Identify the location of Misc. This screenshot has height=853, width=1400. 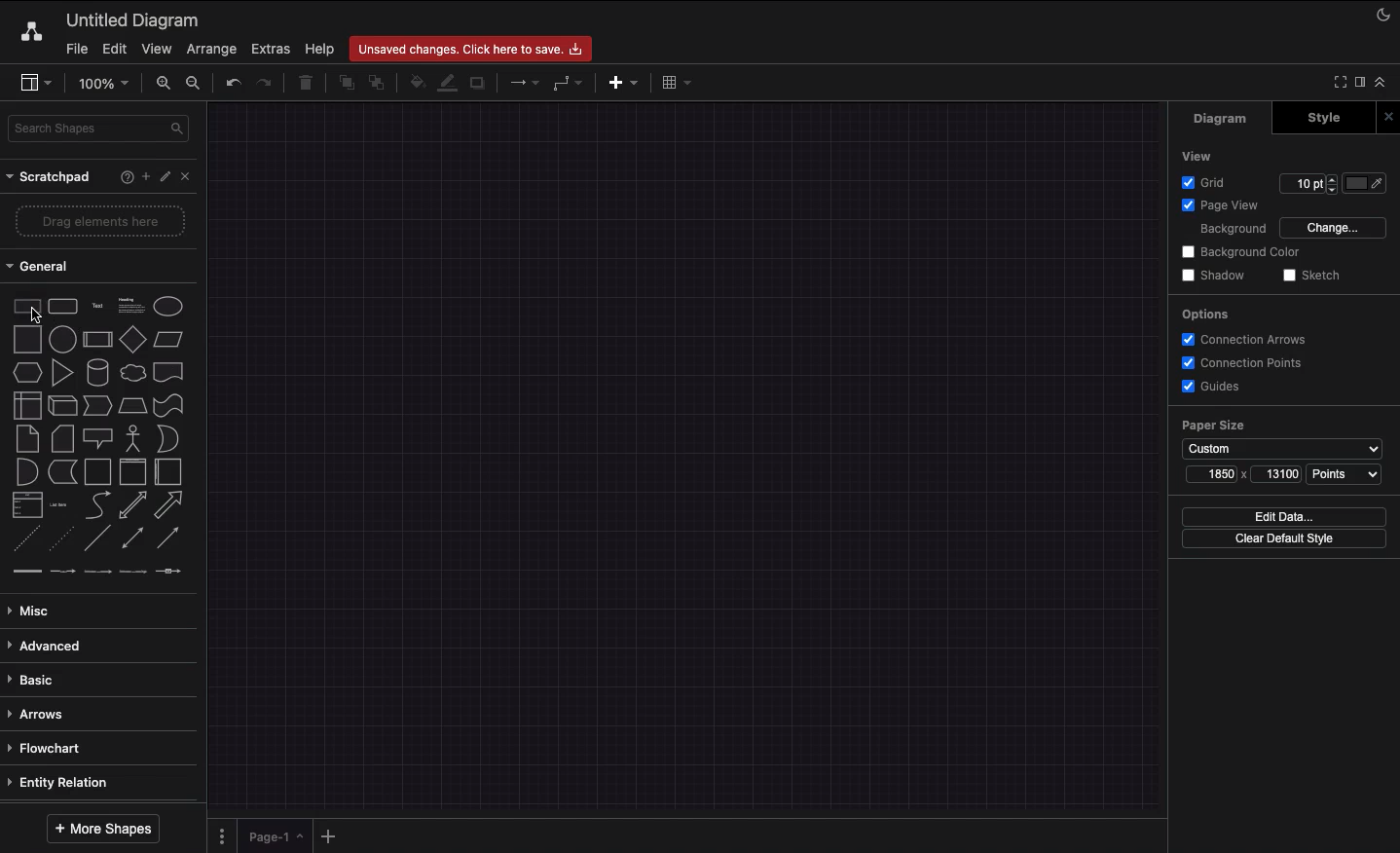
(29, 610).